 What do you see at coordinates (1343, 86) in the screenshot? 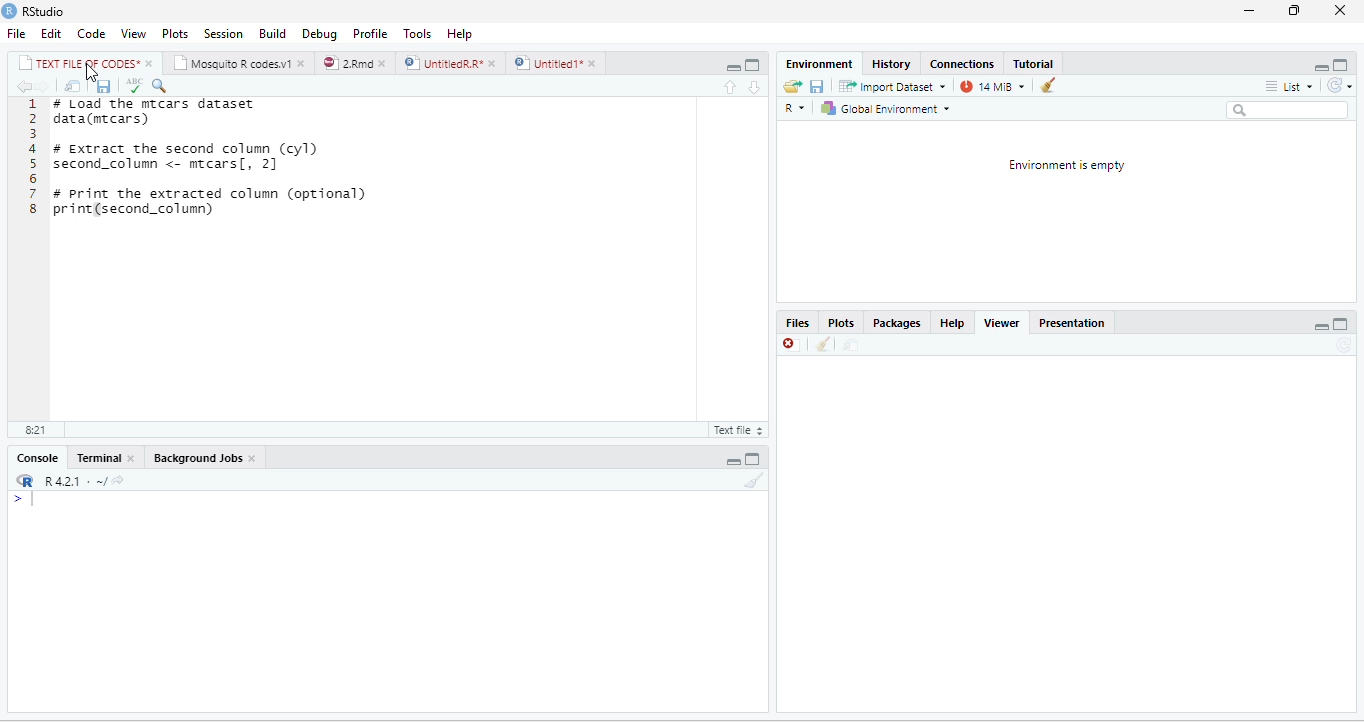
I see `refresh` at bounding box center [1343, 86].